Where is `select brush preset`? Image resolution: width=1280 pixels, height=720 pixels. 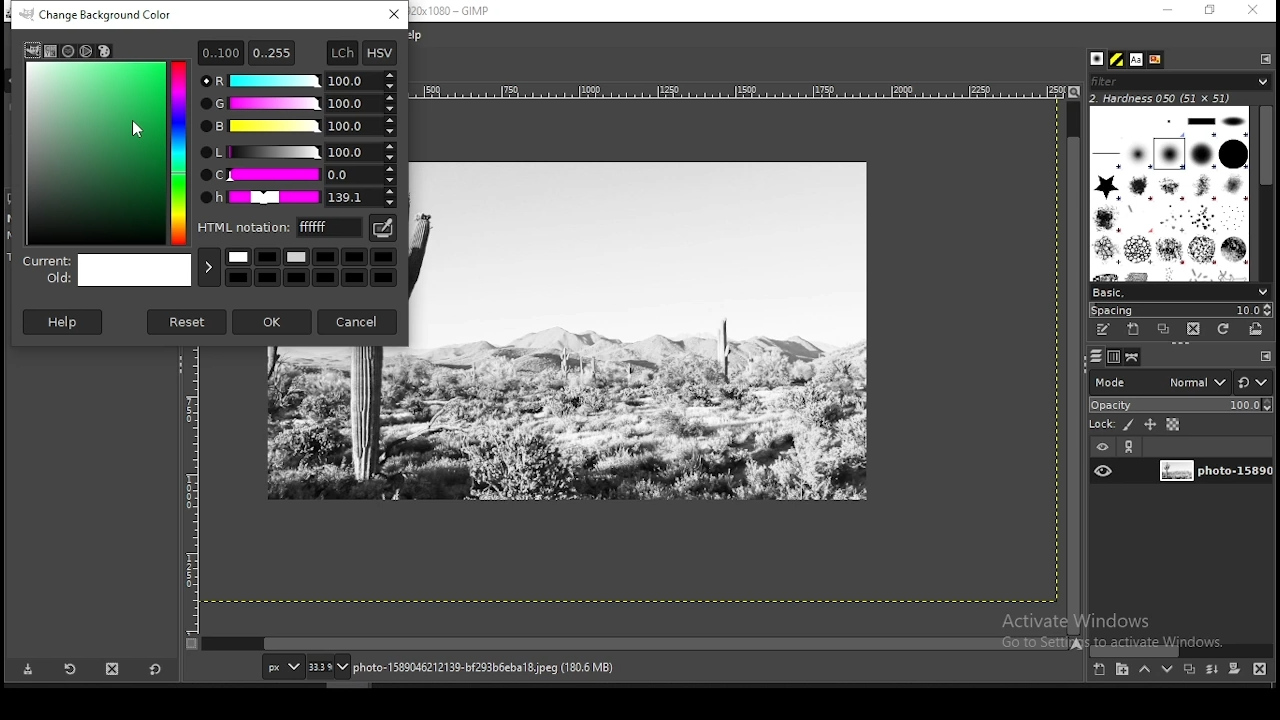
select brush preset is located at coordinates (1178, 291).